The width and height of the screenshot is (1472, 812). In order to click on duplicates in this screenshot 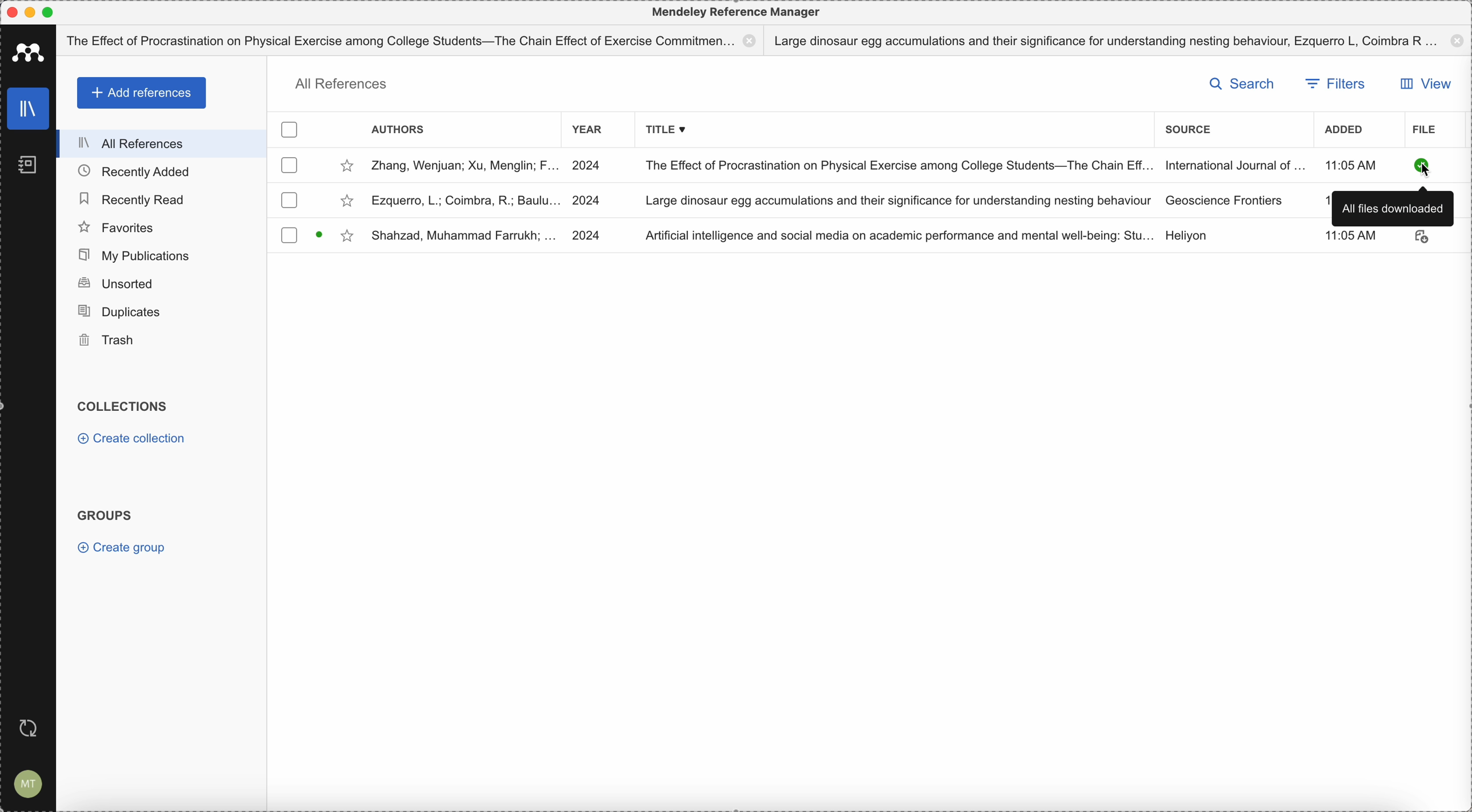, I will do `click(119, 311)`.